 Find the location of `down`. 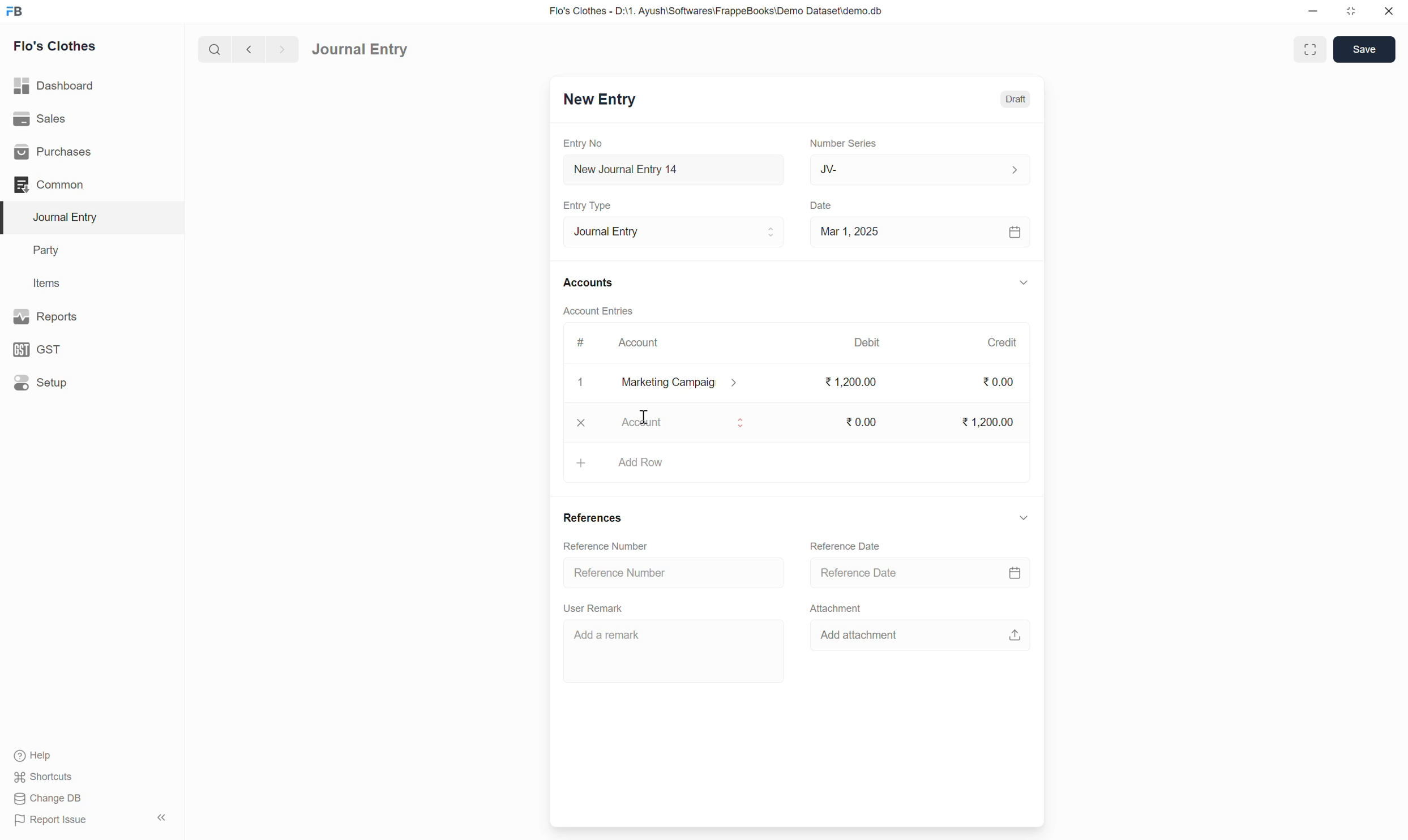

down is located at coordinates (1022, 284).